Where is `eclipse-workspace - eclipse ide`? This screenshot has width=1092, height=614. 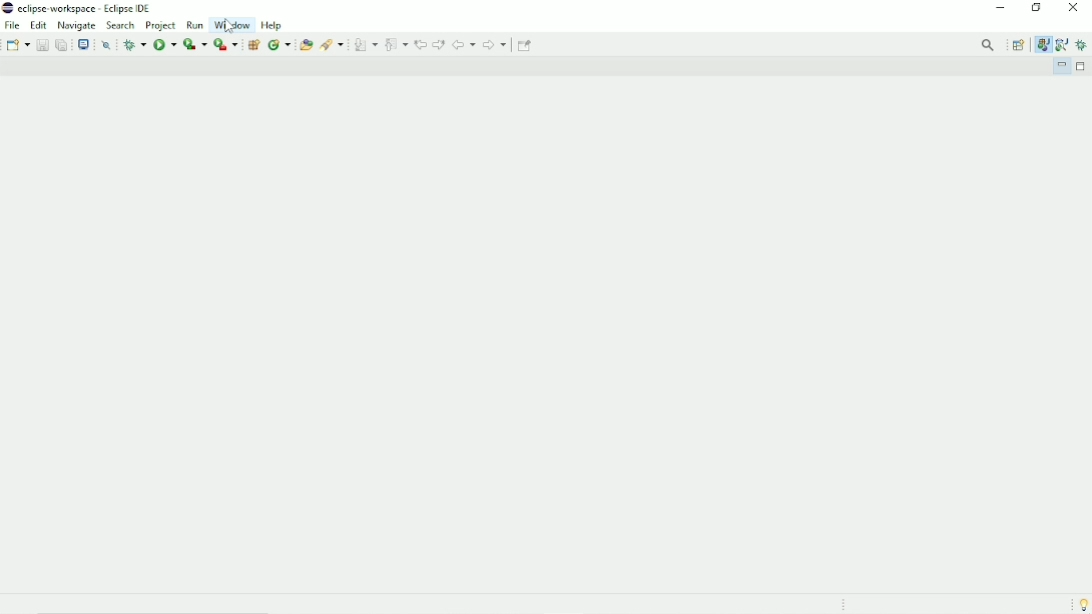
eclipse-workspace - eclipse ide is located at coordinates (92, 7).